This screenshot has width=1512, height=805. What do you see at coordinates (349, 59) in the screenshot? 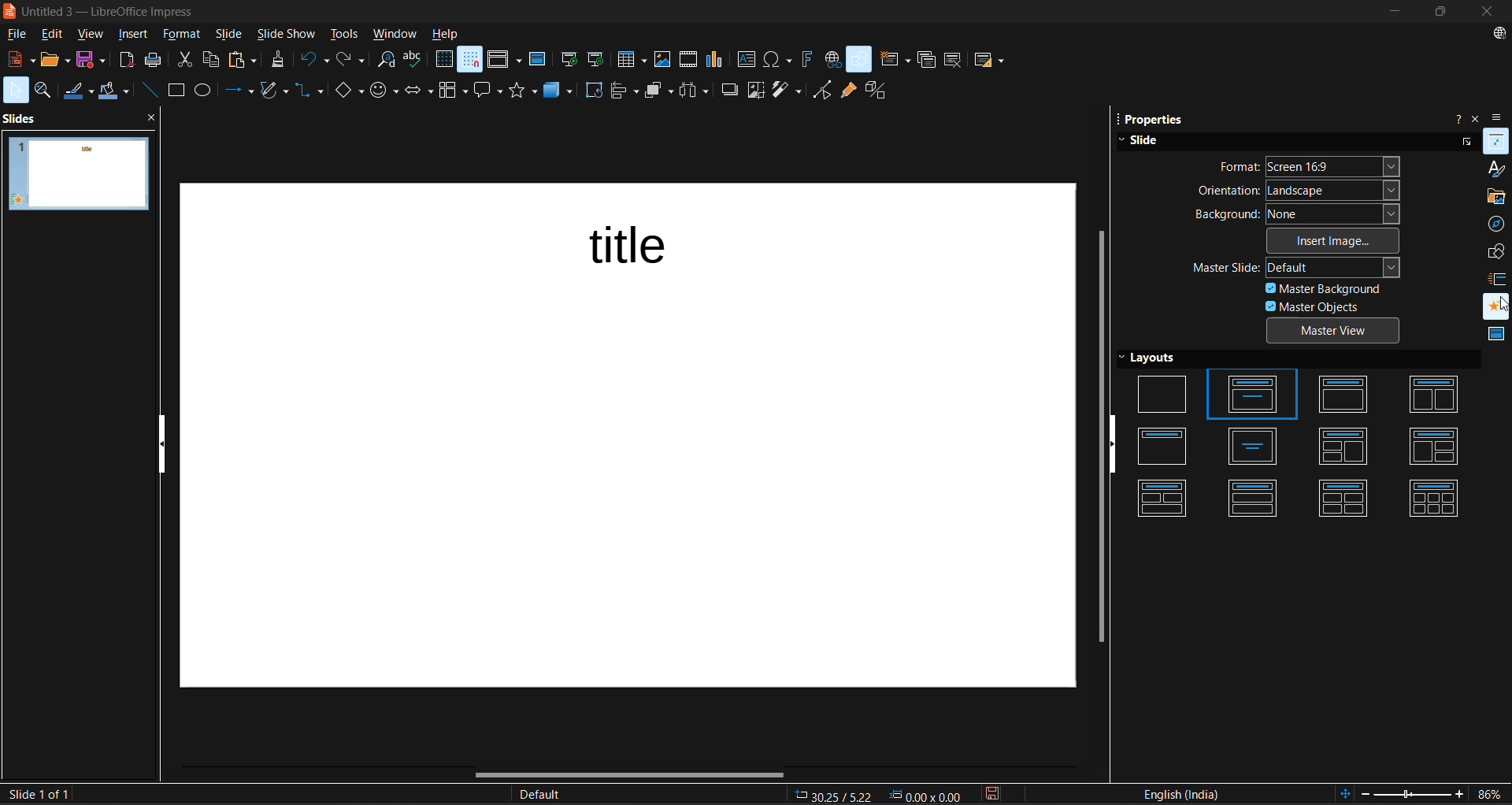
I see `redo` at bounding box center [349, 59].